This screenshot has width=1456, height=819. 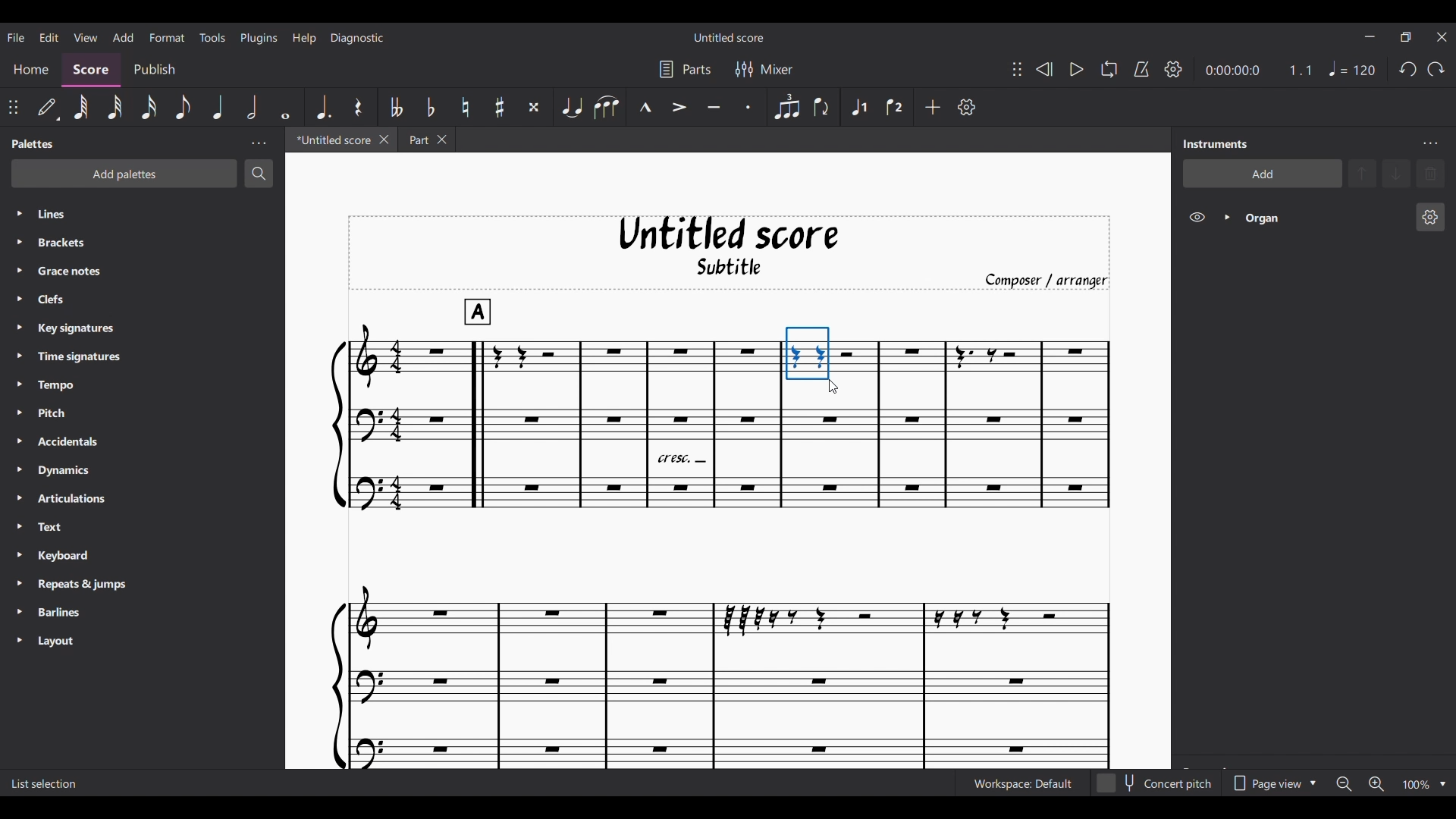 What do you see at coordinates (645, 108) in the screenshot?
I see `Marcato` at bounding box center [645, 108].